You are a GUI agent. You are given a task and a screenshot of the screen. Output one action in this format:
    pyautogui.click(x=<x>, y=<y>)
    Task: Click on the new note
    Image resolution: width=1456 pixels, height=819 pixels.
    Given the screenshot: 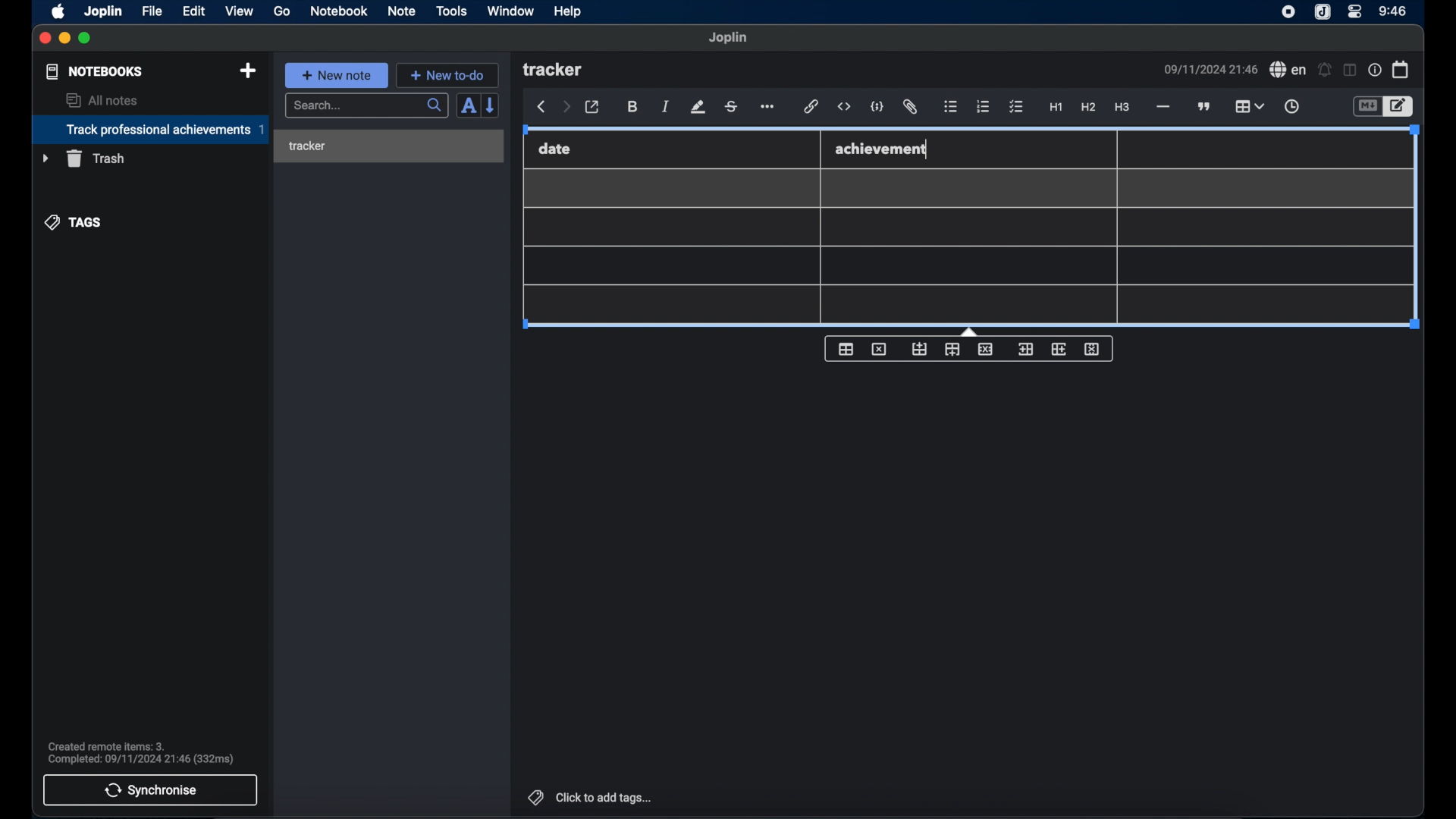 What is the action you would take?
    pyautogui.click(x=336, y=74)
    